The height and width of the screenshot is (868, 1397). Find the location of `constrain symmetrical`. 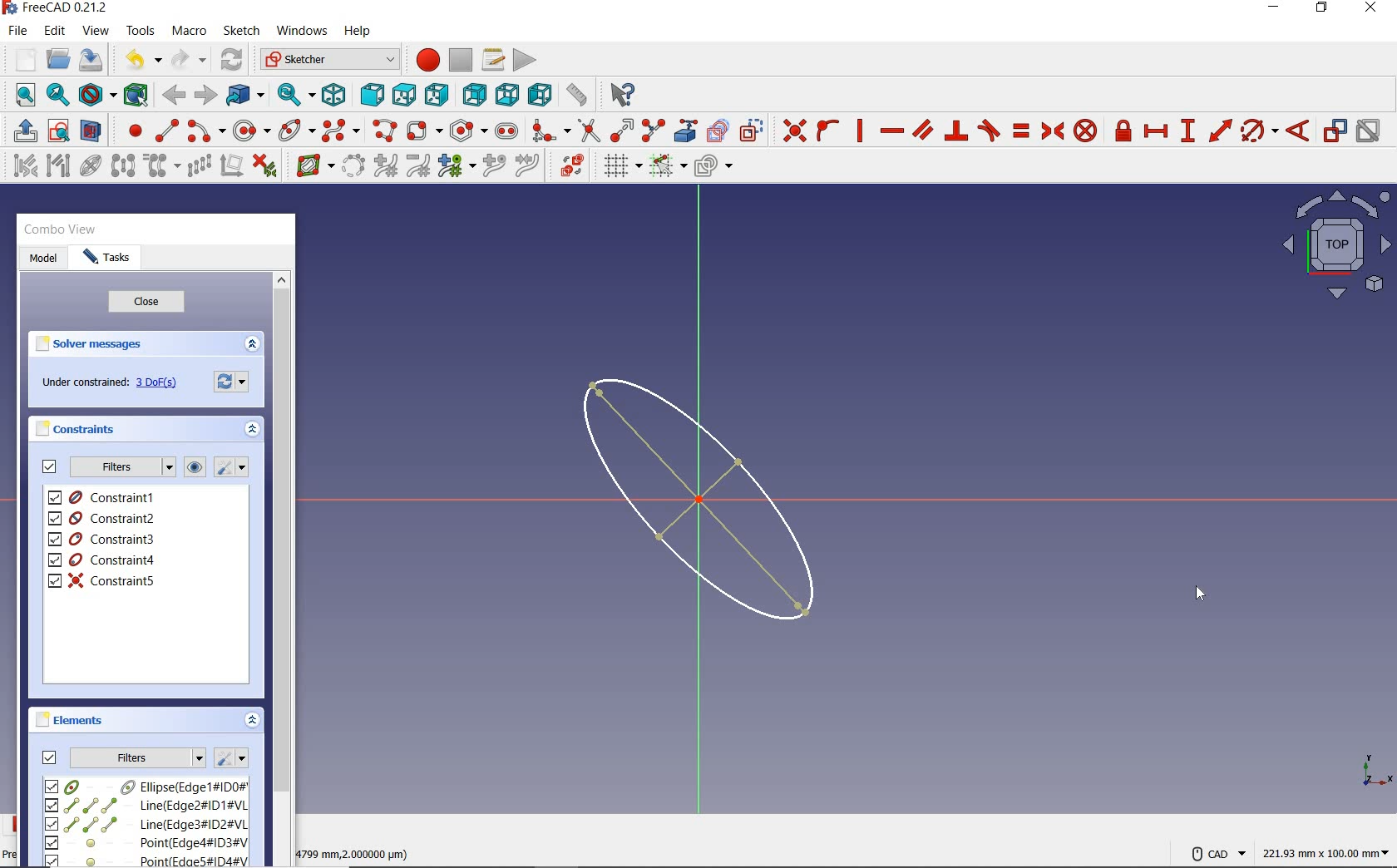

constrain symmetrical is located at coordinates (1051, 131).